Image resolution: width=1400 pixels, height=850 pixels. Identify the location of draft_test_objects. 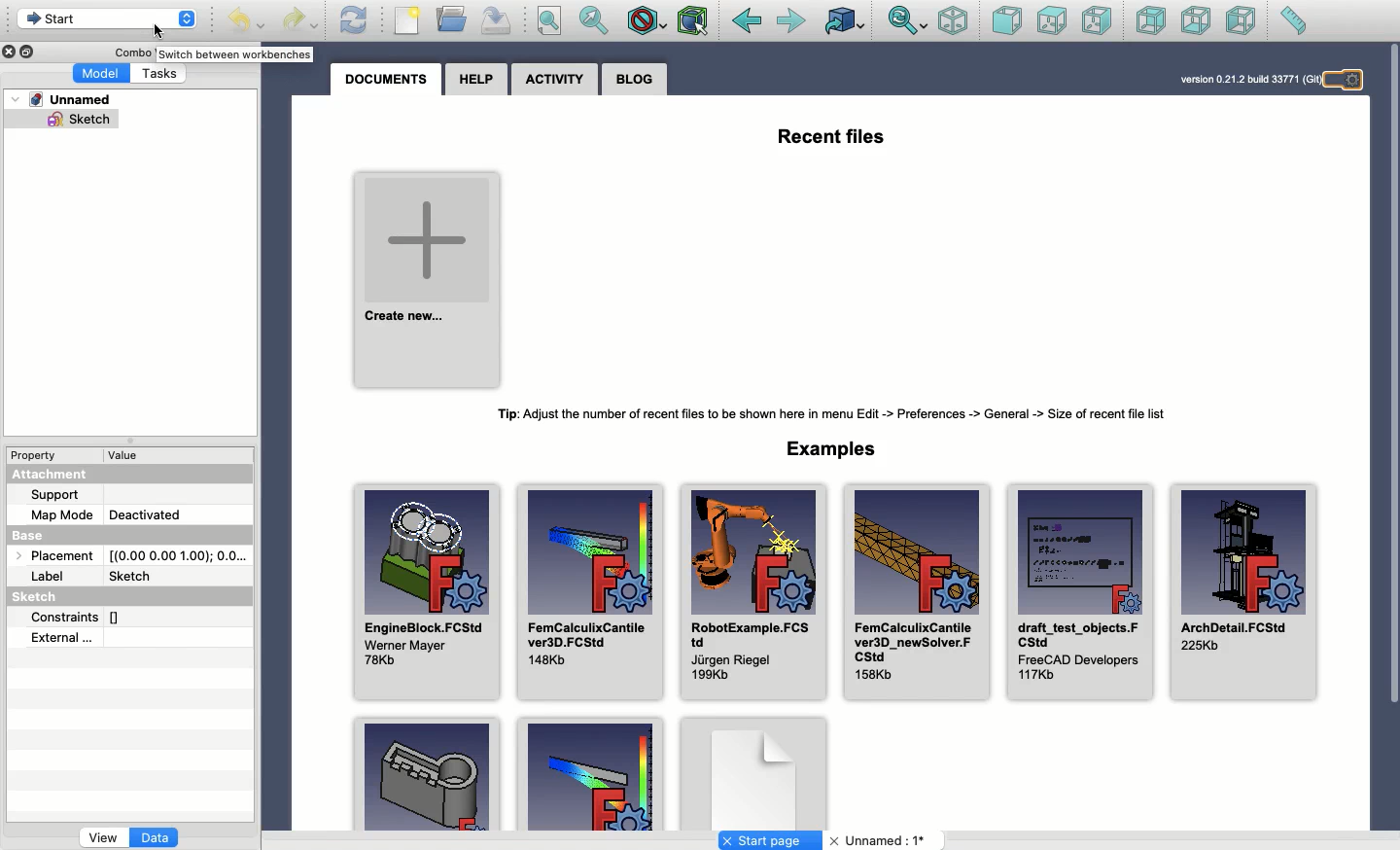
(1081, 593).